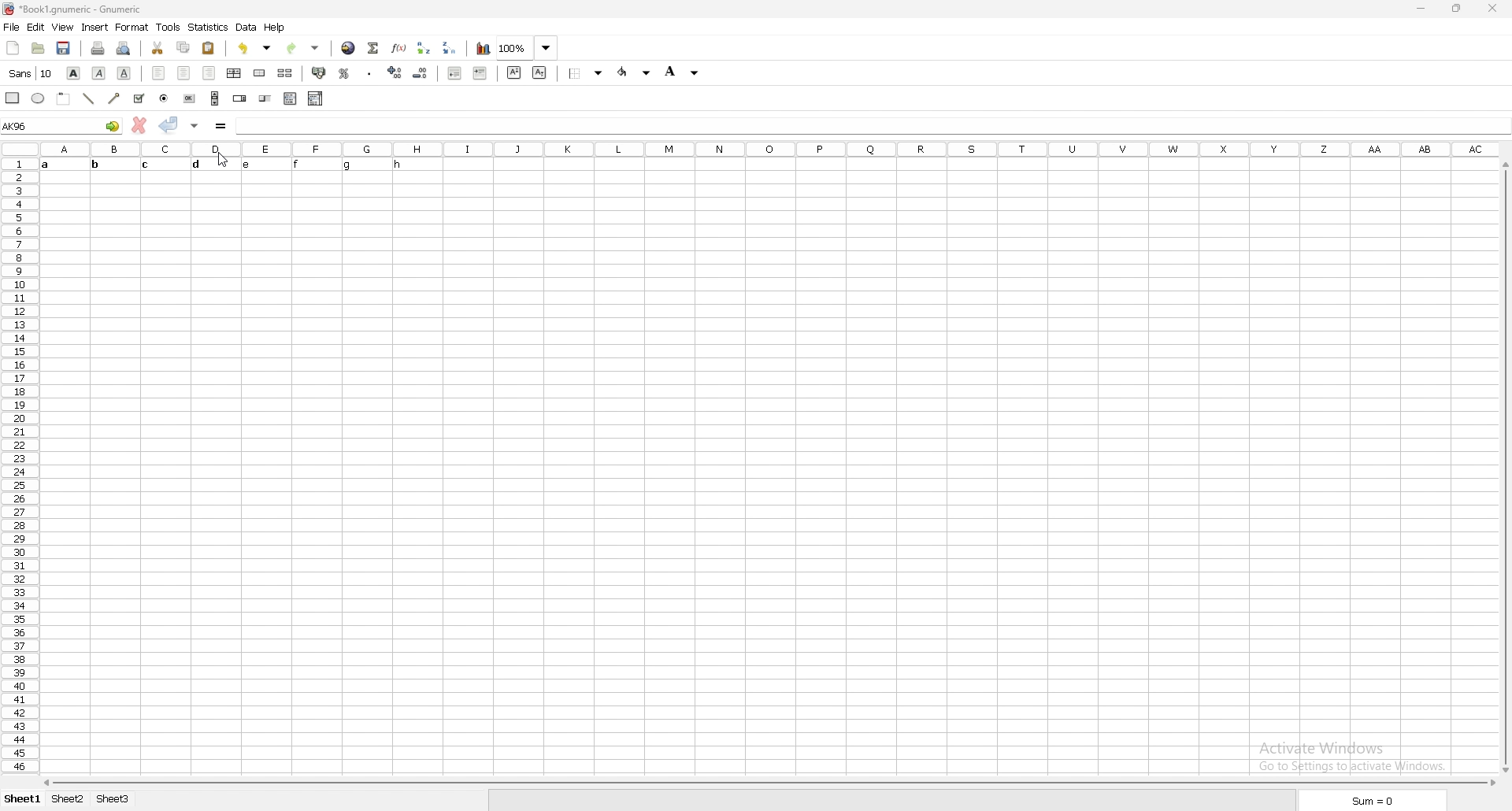 This screenshot has height=811, width=1512. What do you see at coordinates (305, 48) in the screenshot?
I see `redo` at bounding box center [305, 48].